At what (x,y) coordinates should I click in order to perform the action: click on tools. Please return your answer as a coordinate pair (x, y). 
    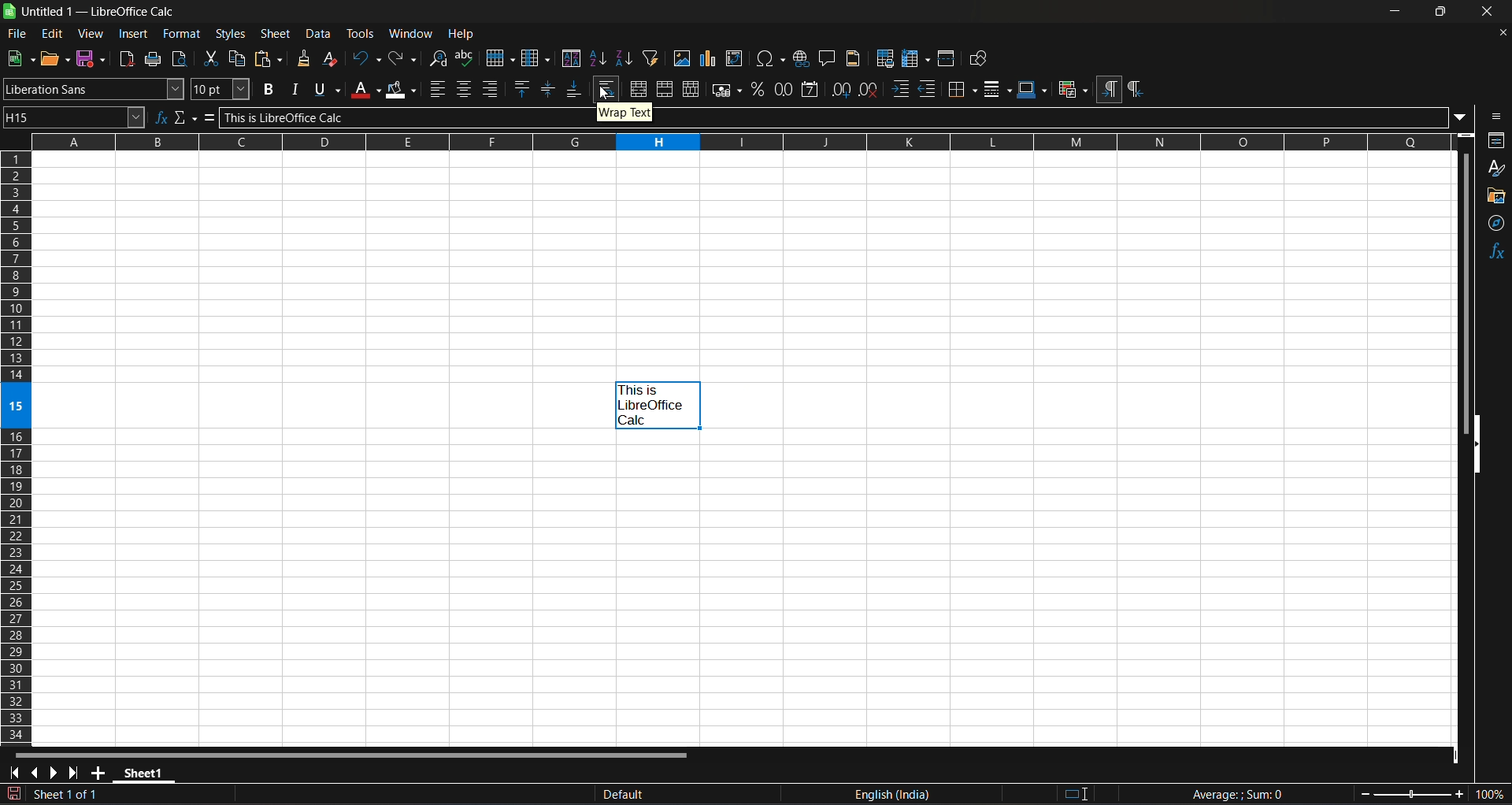
    Looking at the image, I should click on (361, 33).